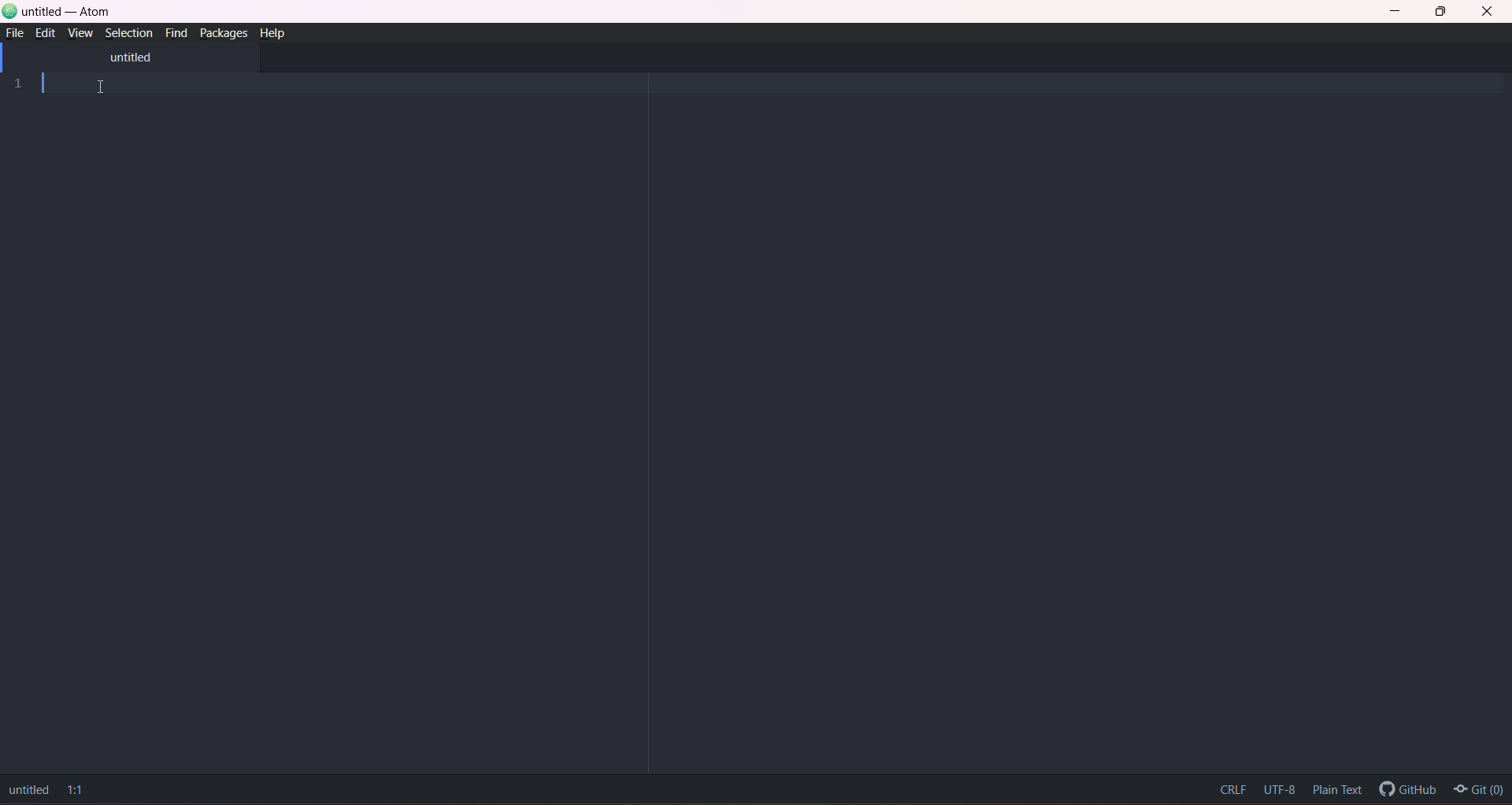  Describe the element at coordinates (20, 85) in the screenshot. I see `1` at that location.